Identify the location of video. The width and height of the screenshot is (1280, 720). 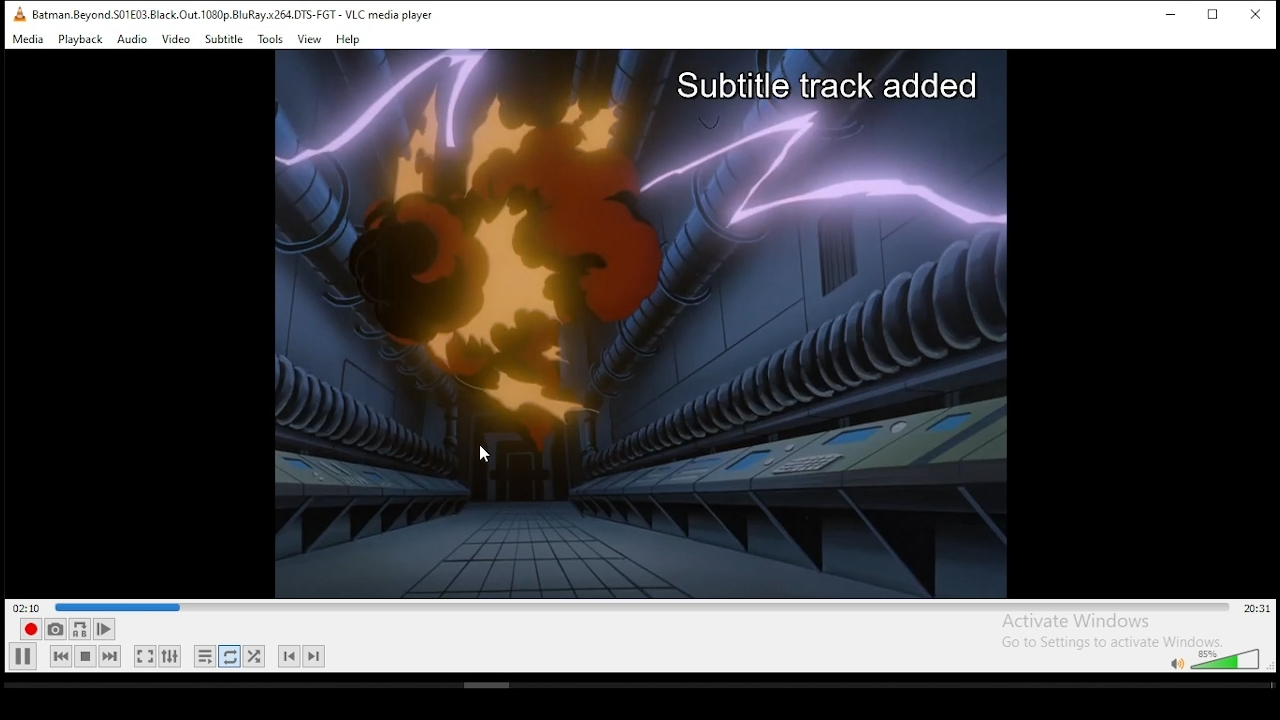
(176, 39).